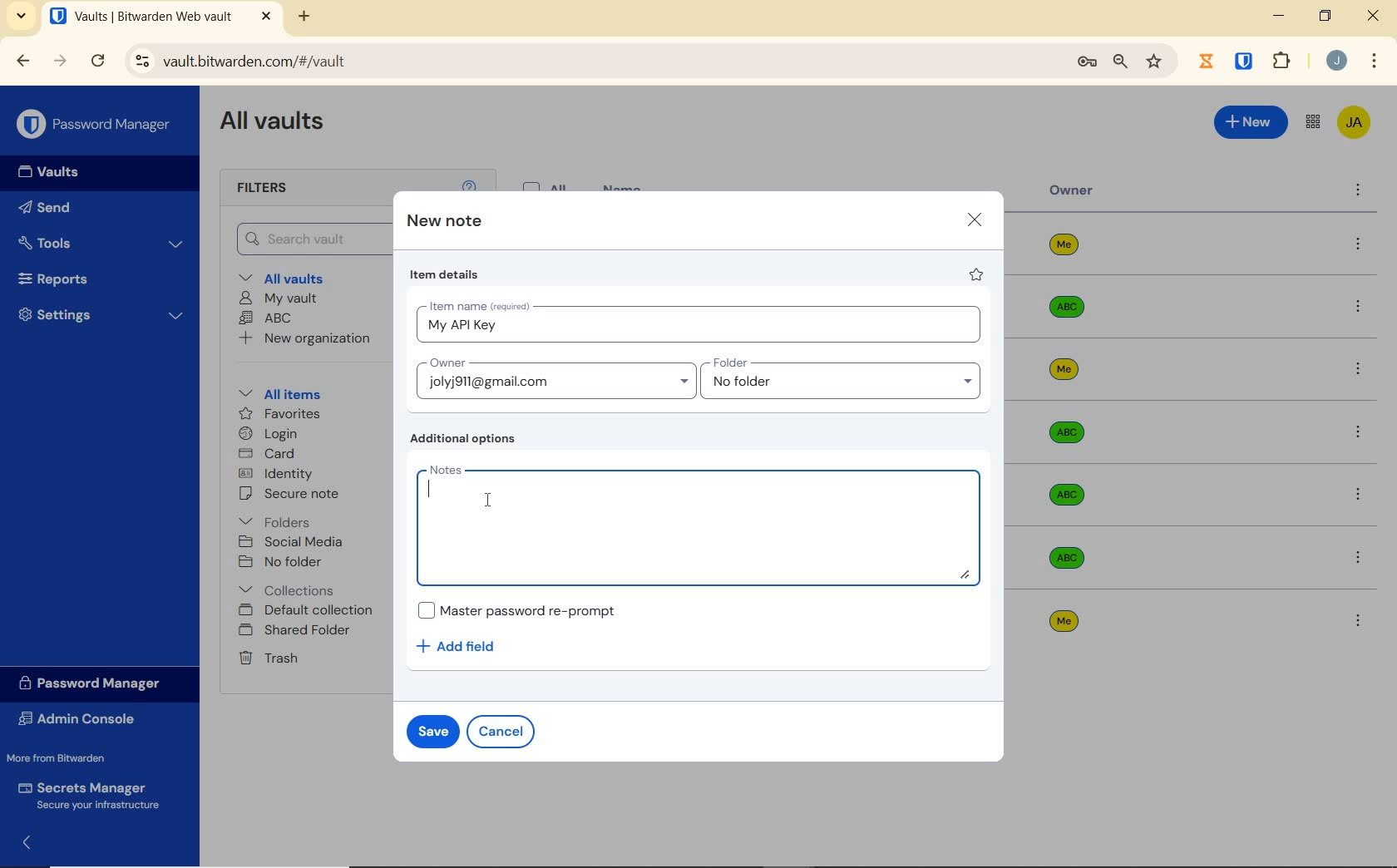 Image resolution: width=1397 pixels, height=868 pixels. Describe the element at coordinates (1357, 432) in the screenshot. I see `more options` at that location.